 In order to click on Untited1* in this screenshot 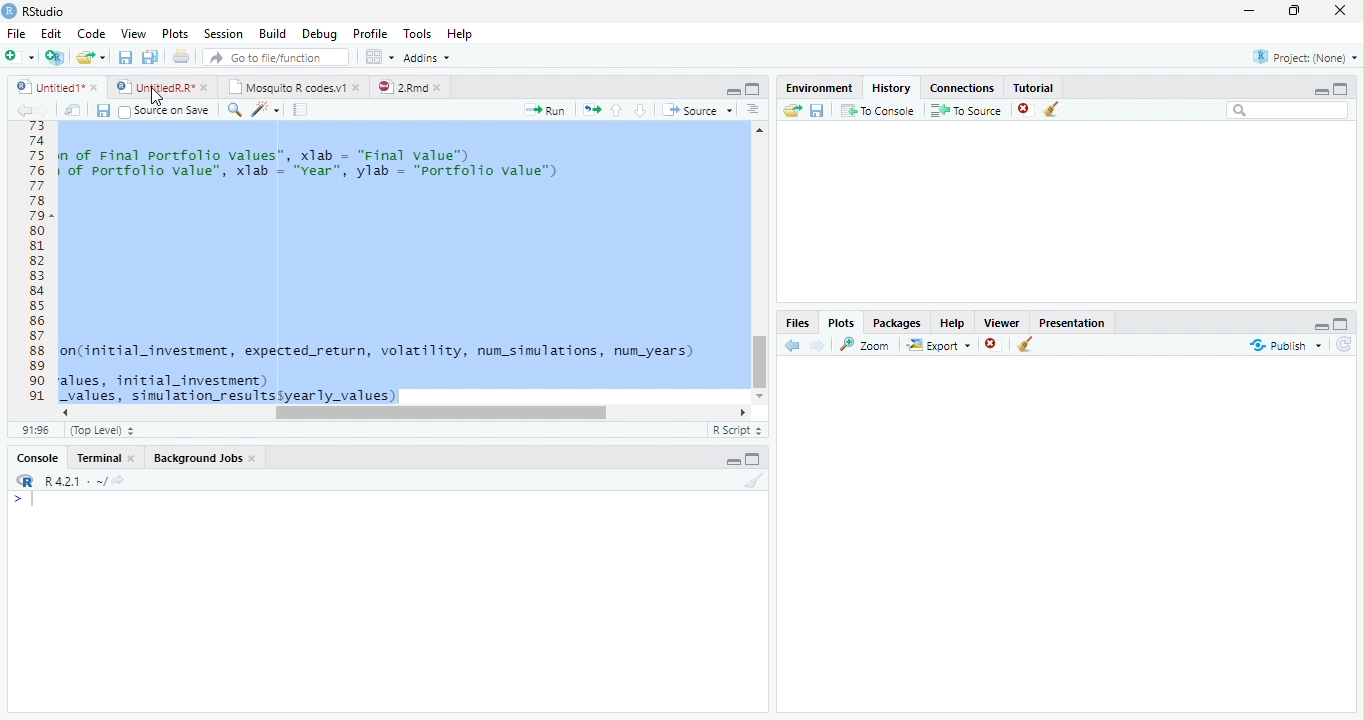, I will do `click(55, 86)`.